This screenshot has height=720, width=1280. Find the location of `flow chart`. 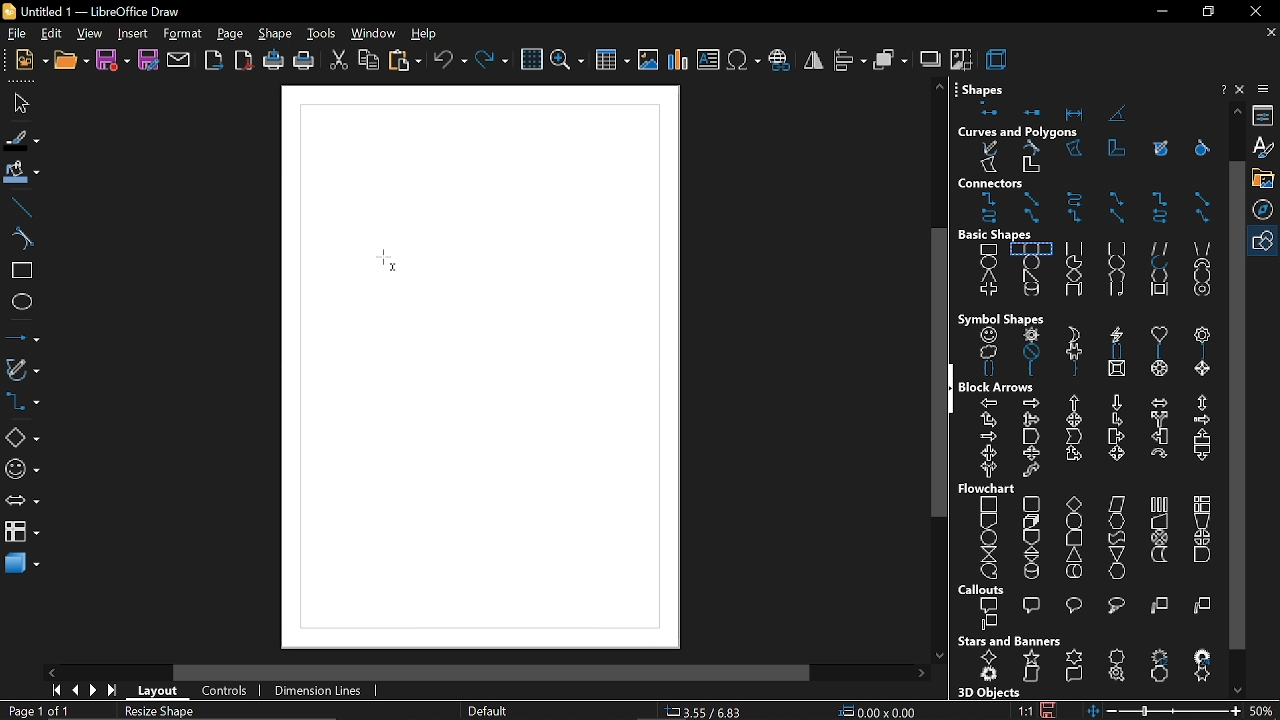

flow chart is located at coordinates (990, 489).